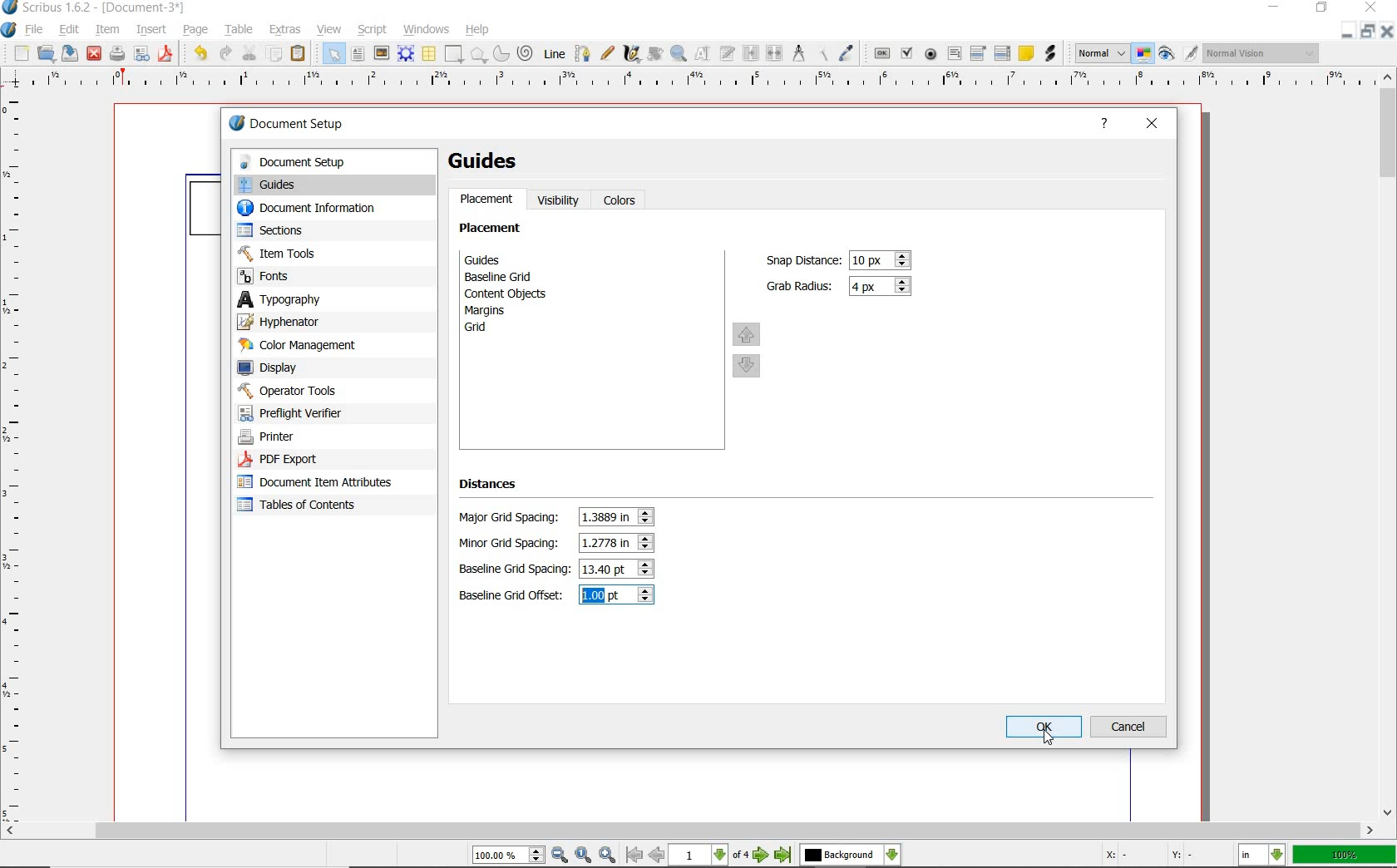 The width and height of the screenshot is (1397, 868). I want to click on print, so click(117, 54).